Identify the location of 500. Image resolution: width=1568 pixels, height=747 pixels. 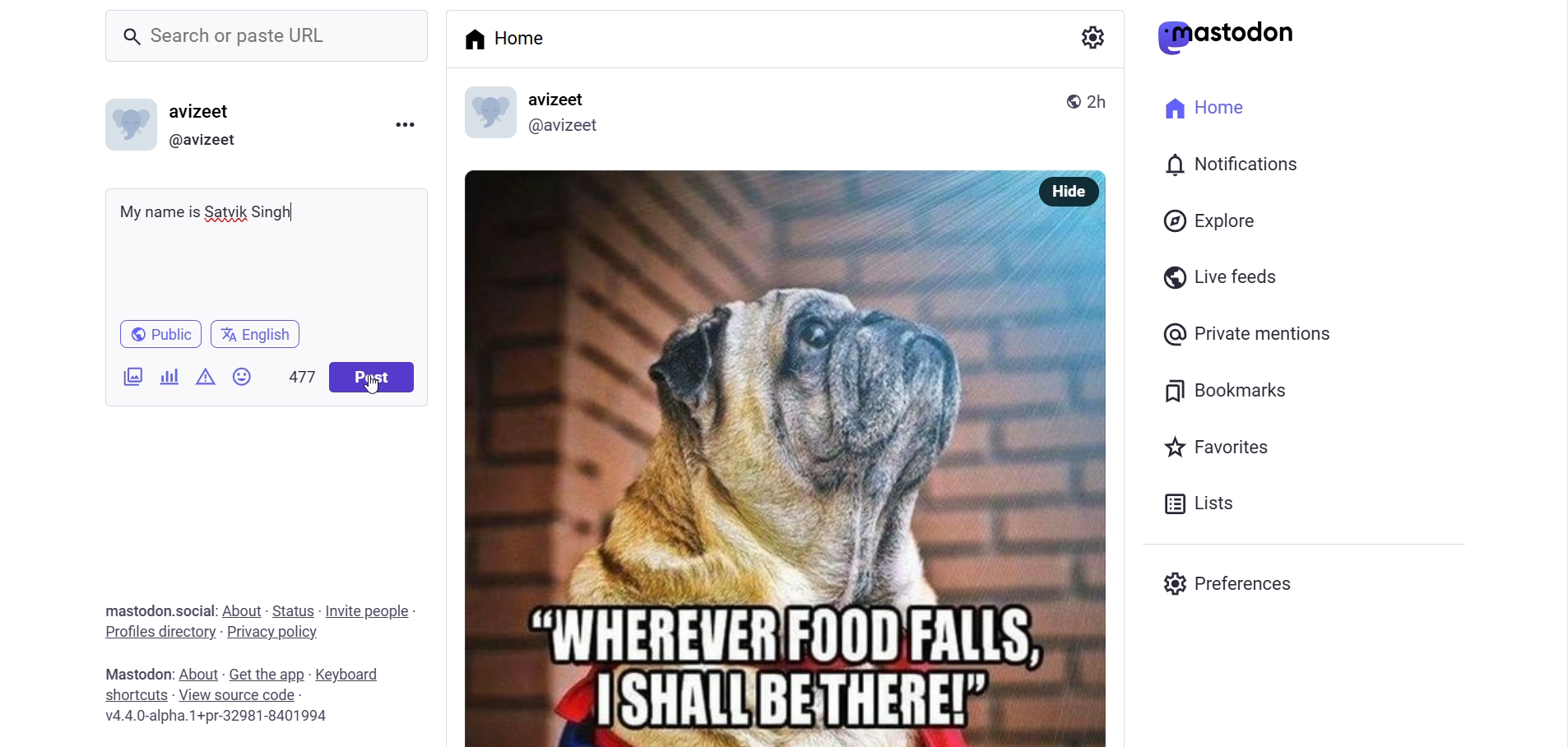
(299, 375).